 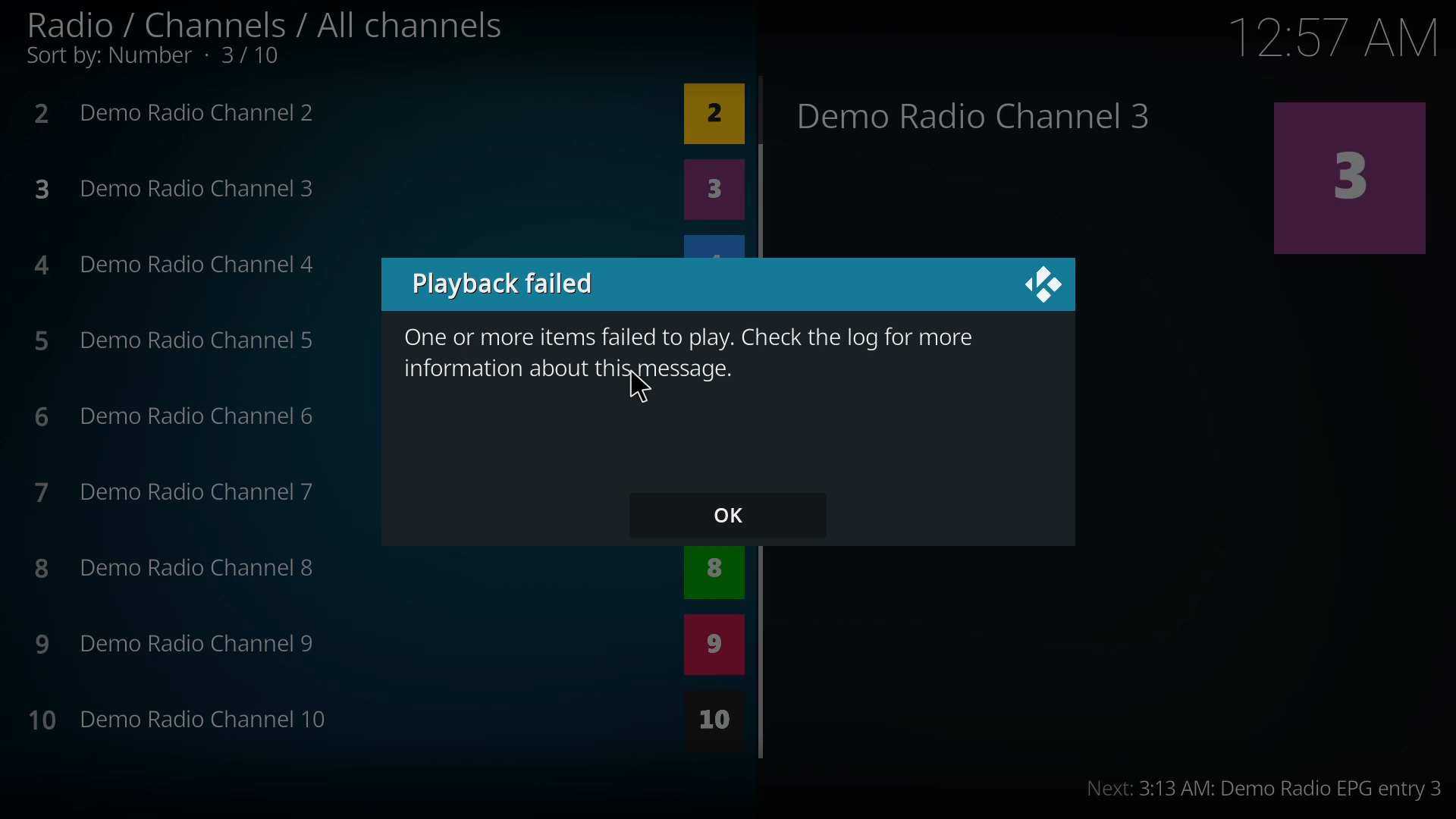 What do you see at coordinates (737, 515) in the screenshot?
I see `ok` at bounding box center [737, 515].